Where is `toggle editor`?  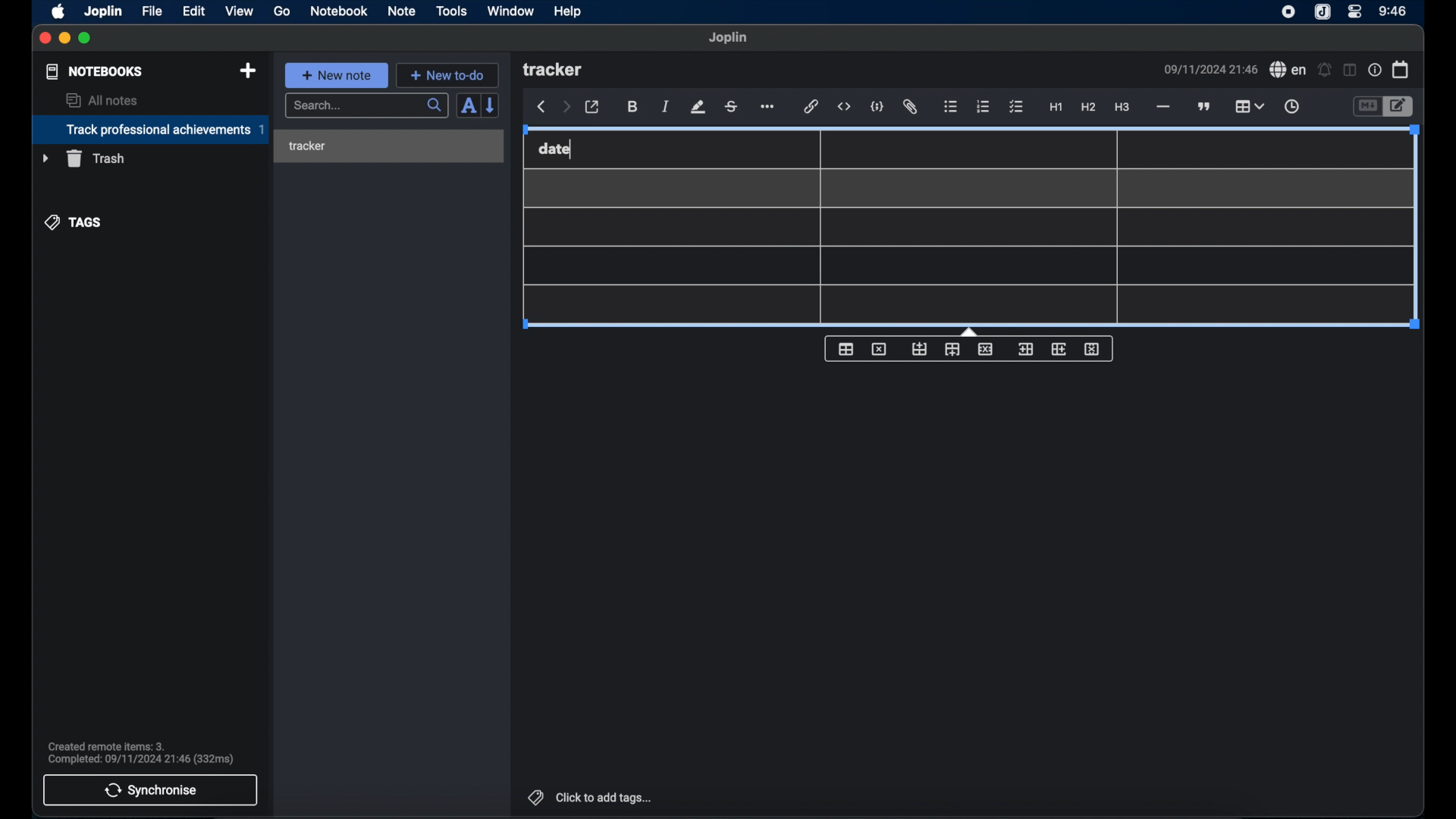
toggle editor is located at coordinates (1366, 106).